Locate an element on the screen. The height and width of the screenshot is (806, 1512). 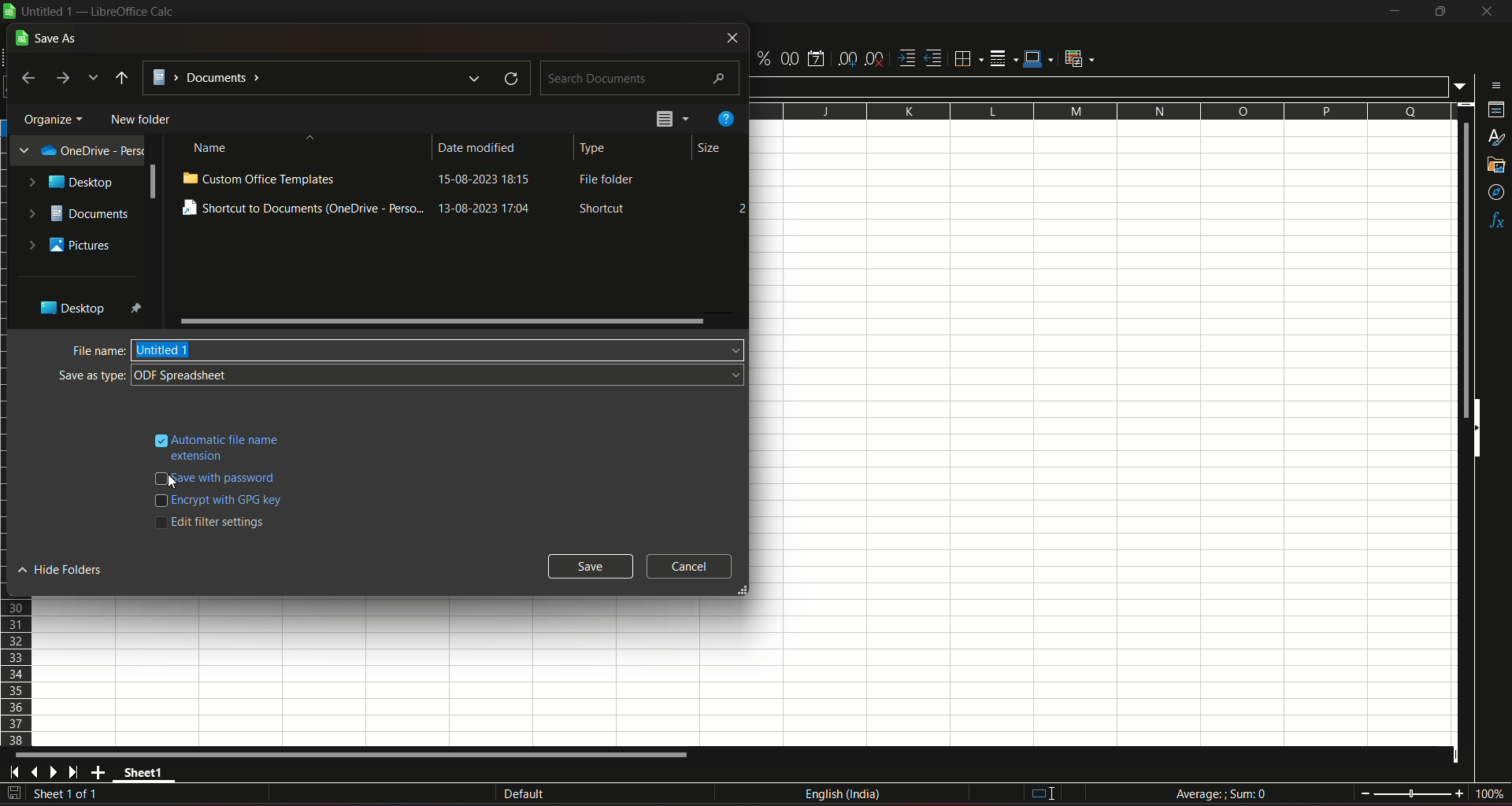
automatic file name extension is located at coordinates (228, 446).